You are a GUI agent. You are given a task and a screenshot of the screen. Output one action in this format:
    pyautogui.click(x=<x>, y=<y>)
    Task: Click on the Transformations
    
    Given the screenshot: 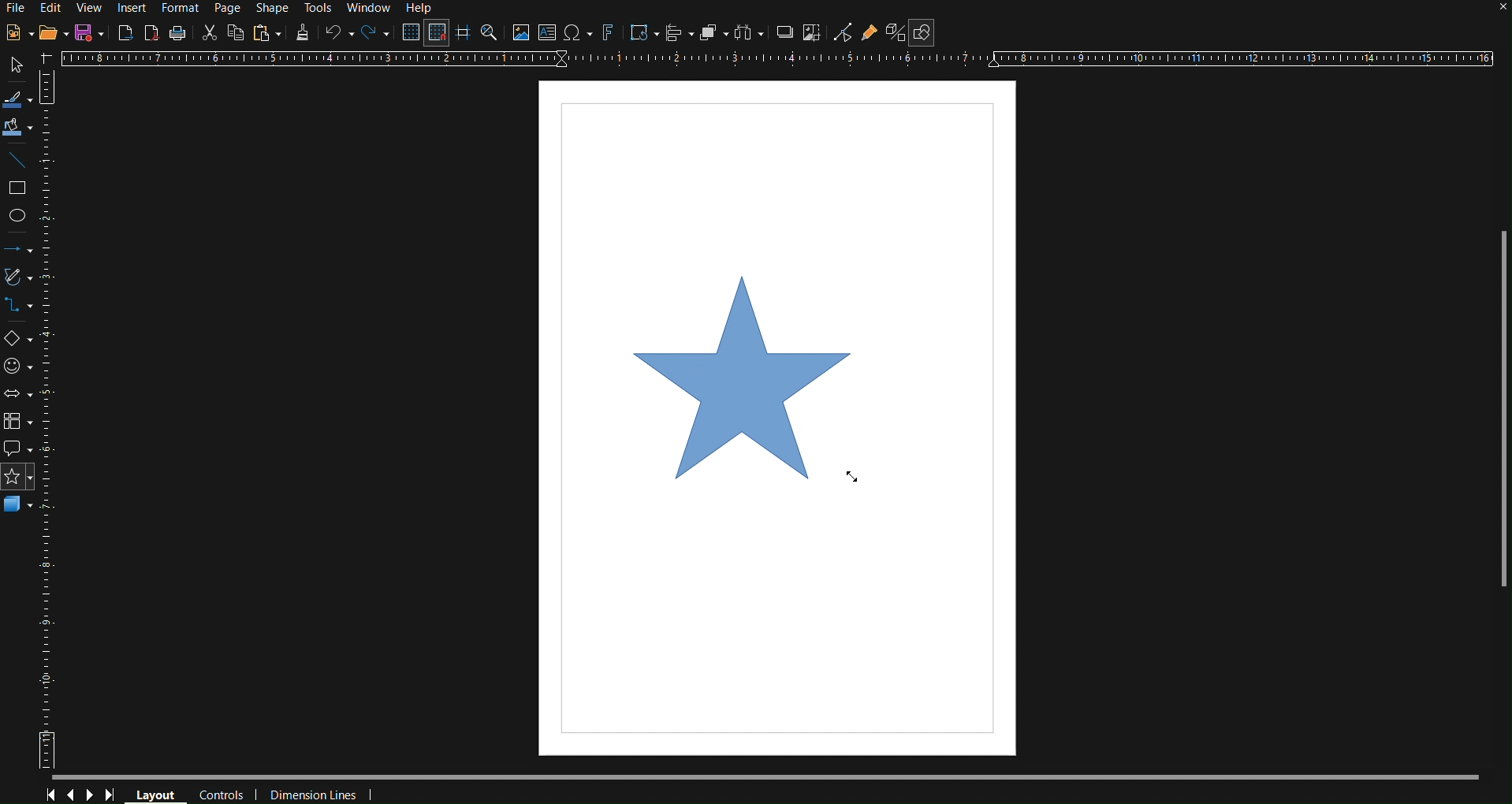 What is the action you would take?
    pyautogui.click(x=642, y=34)
    